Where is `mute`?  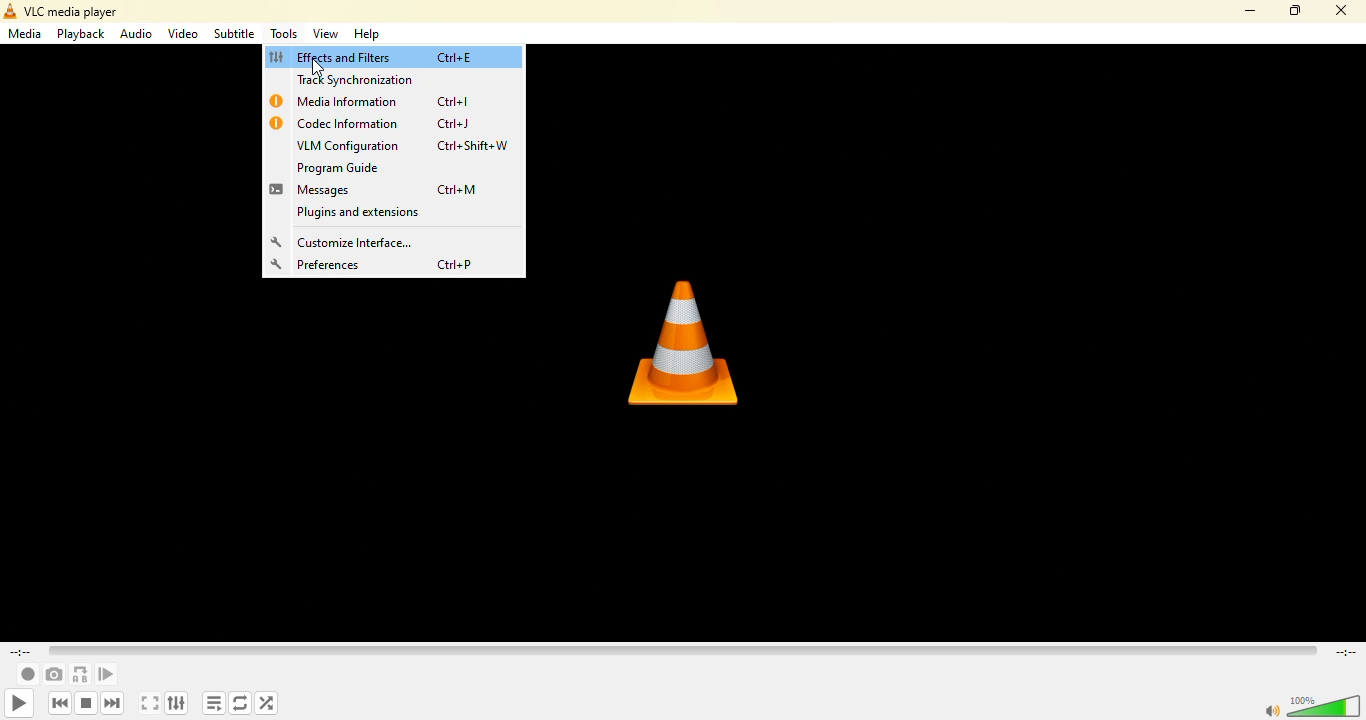 mute is located at coordinates (1269, 712).